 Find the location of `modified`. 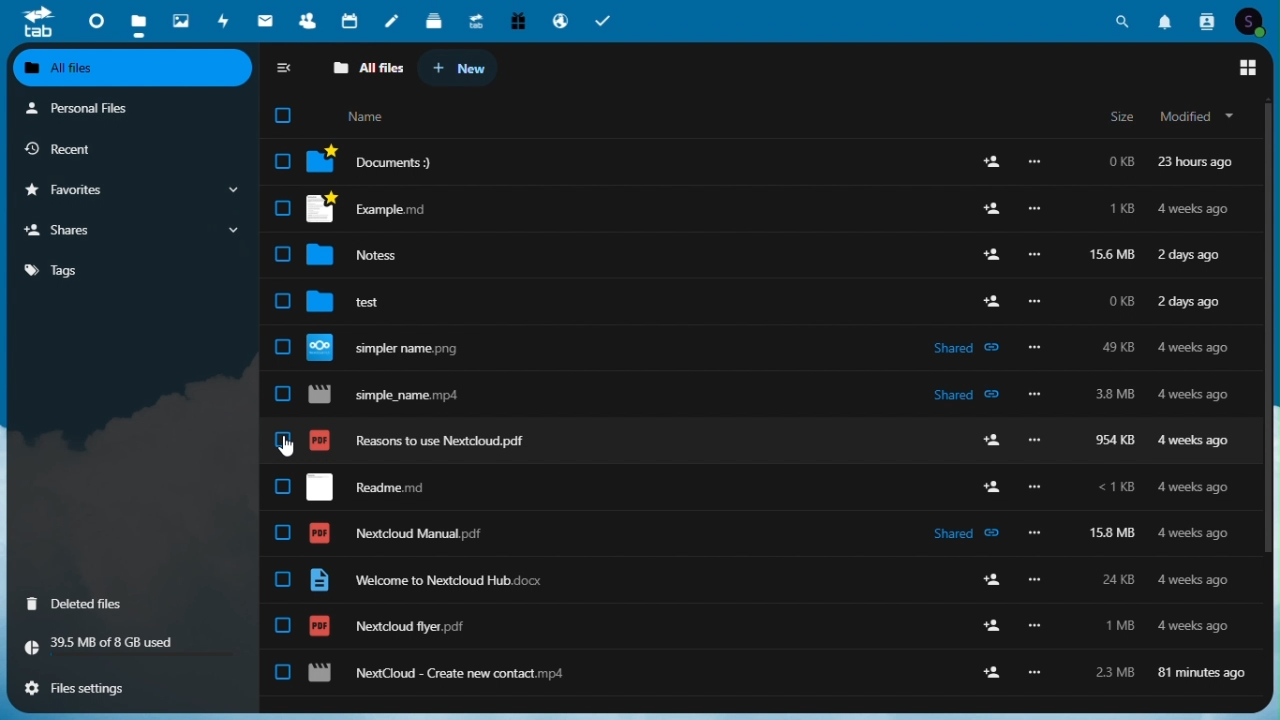

modified is located at coordinates (1200, 116).